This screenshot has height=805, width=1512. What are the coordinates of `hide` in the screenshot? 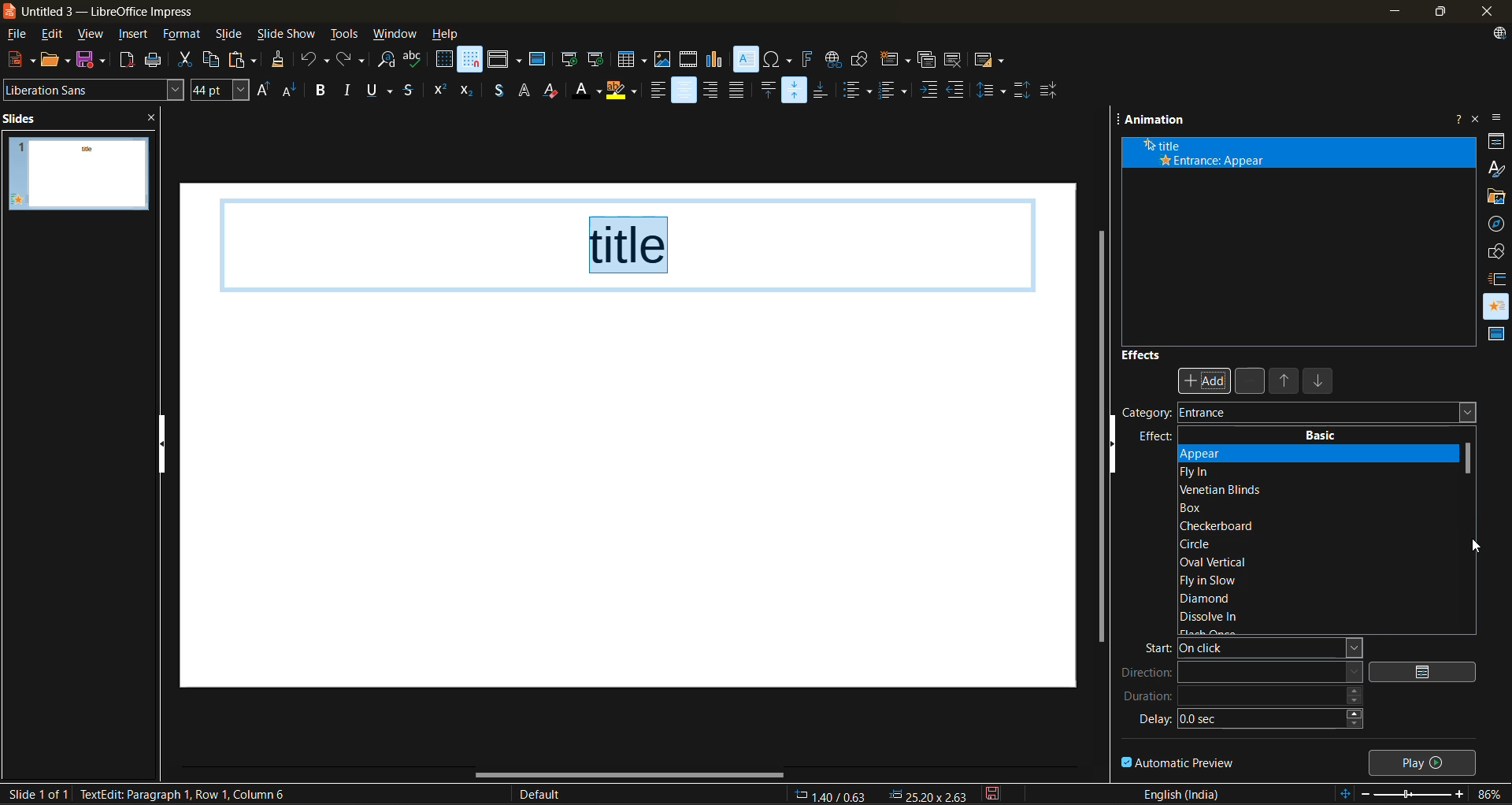 It's located at (165, 443).